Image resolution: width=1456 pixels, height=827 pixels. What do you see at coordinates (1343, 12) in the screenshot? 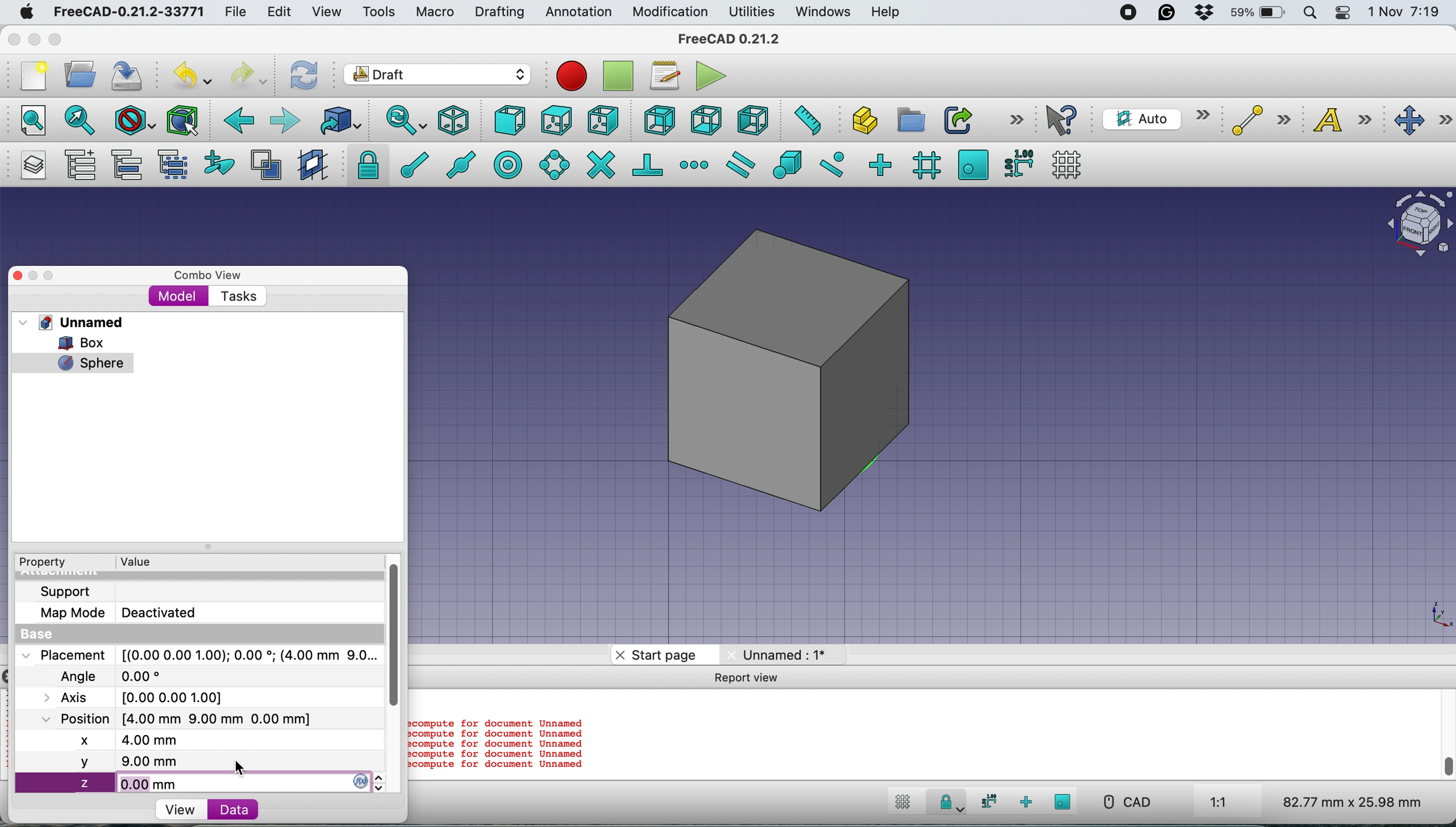
I see `control center` at bounding box center [1343, 12].